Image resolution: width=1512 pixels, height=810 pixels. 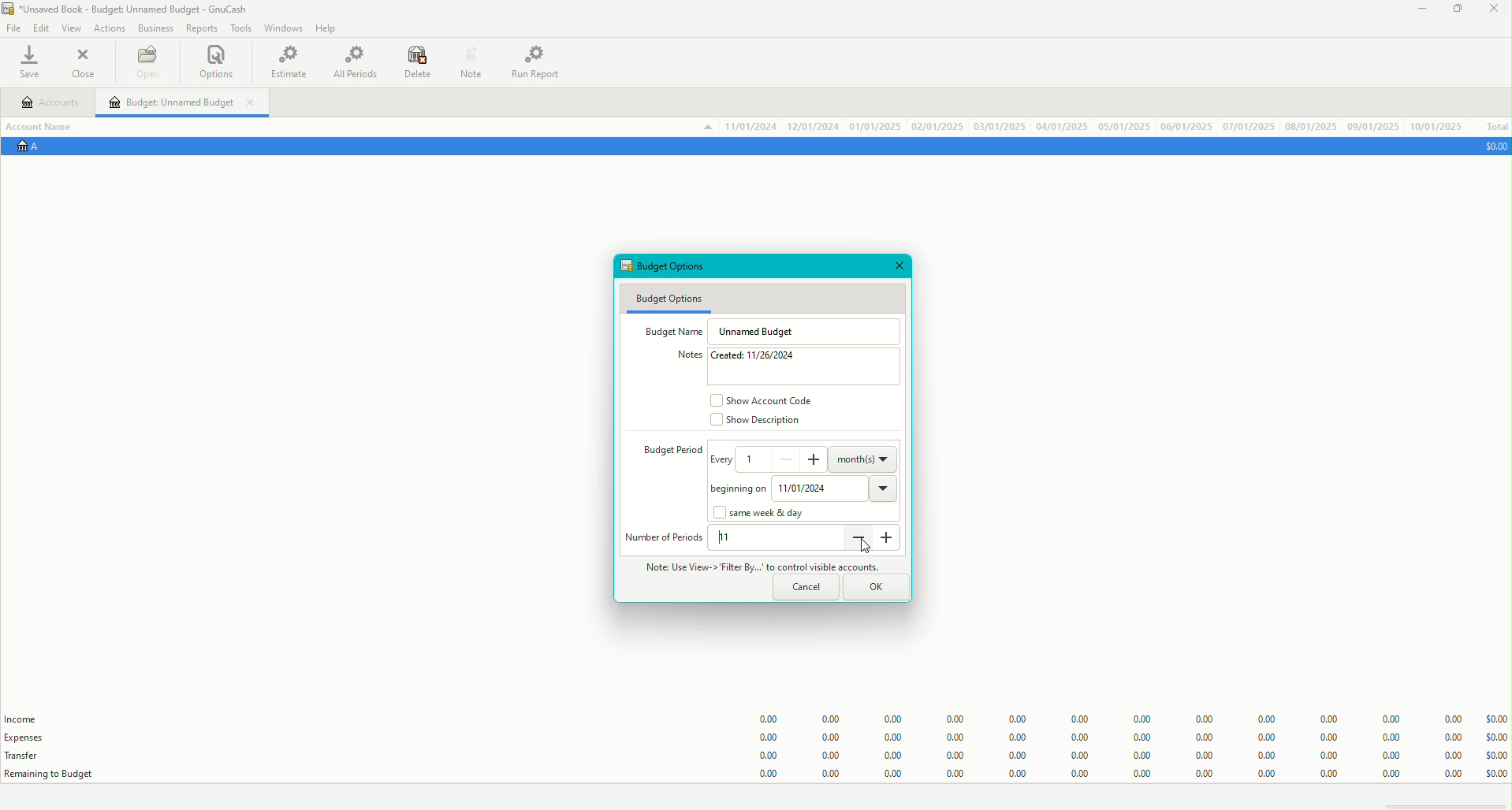 I want to click on View, so click(x=70, y=29).